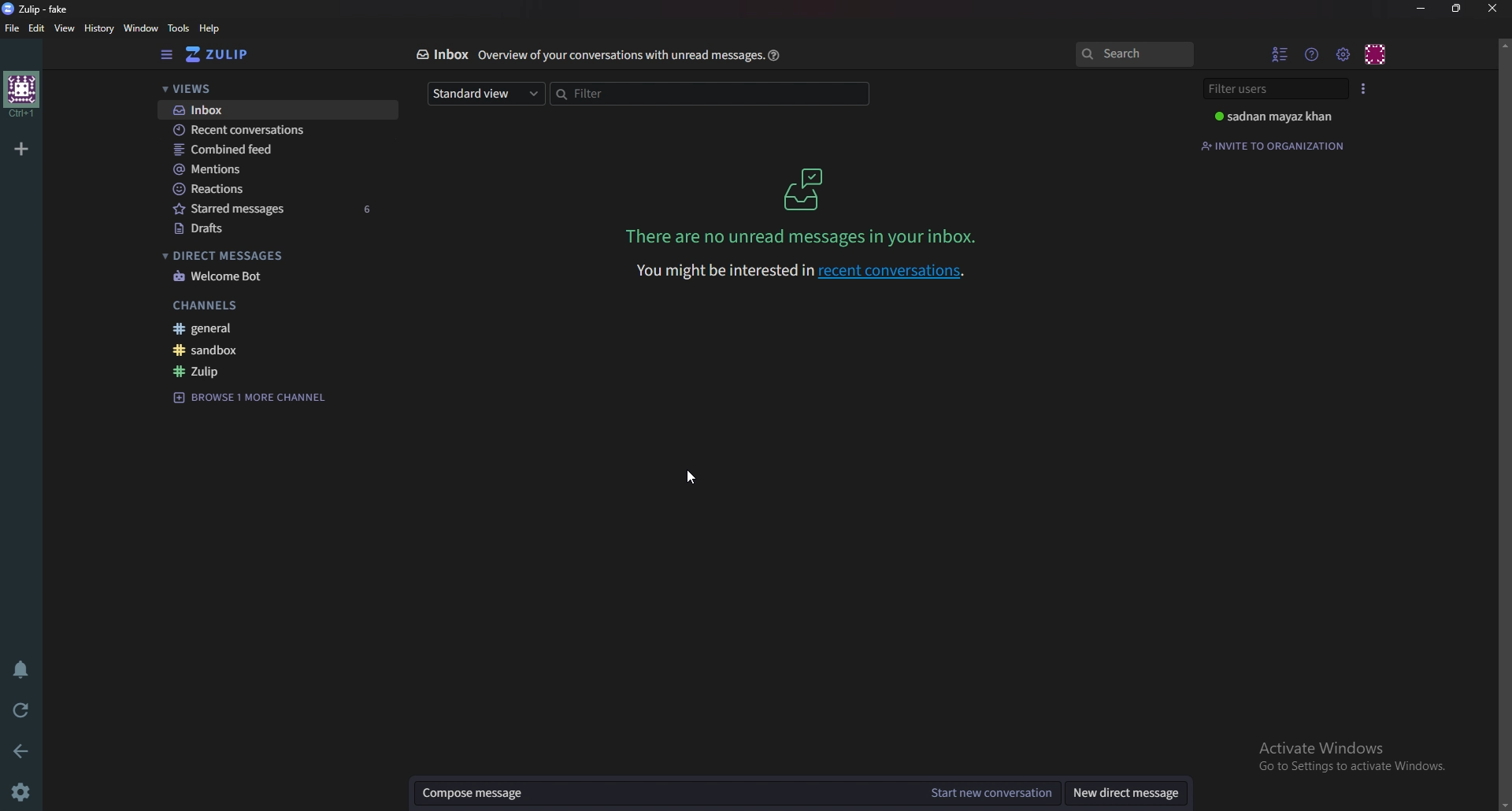  What do you see at coordinates (441, 55) in the screenshot?
I see `Inbox` at bounding box center [441, 55].